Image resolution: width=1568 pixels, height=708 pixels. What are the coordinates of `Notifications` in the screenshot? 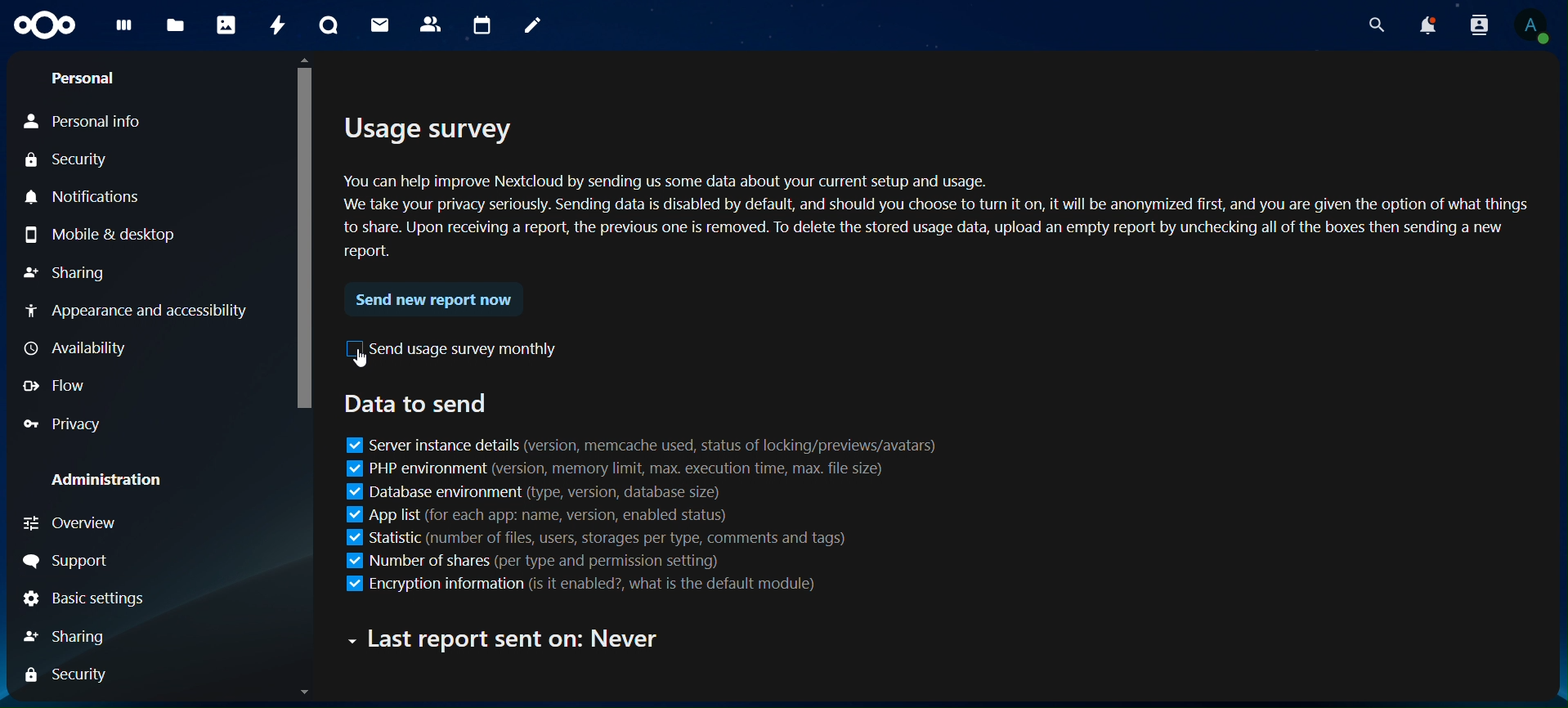 It's located at (89, 198).